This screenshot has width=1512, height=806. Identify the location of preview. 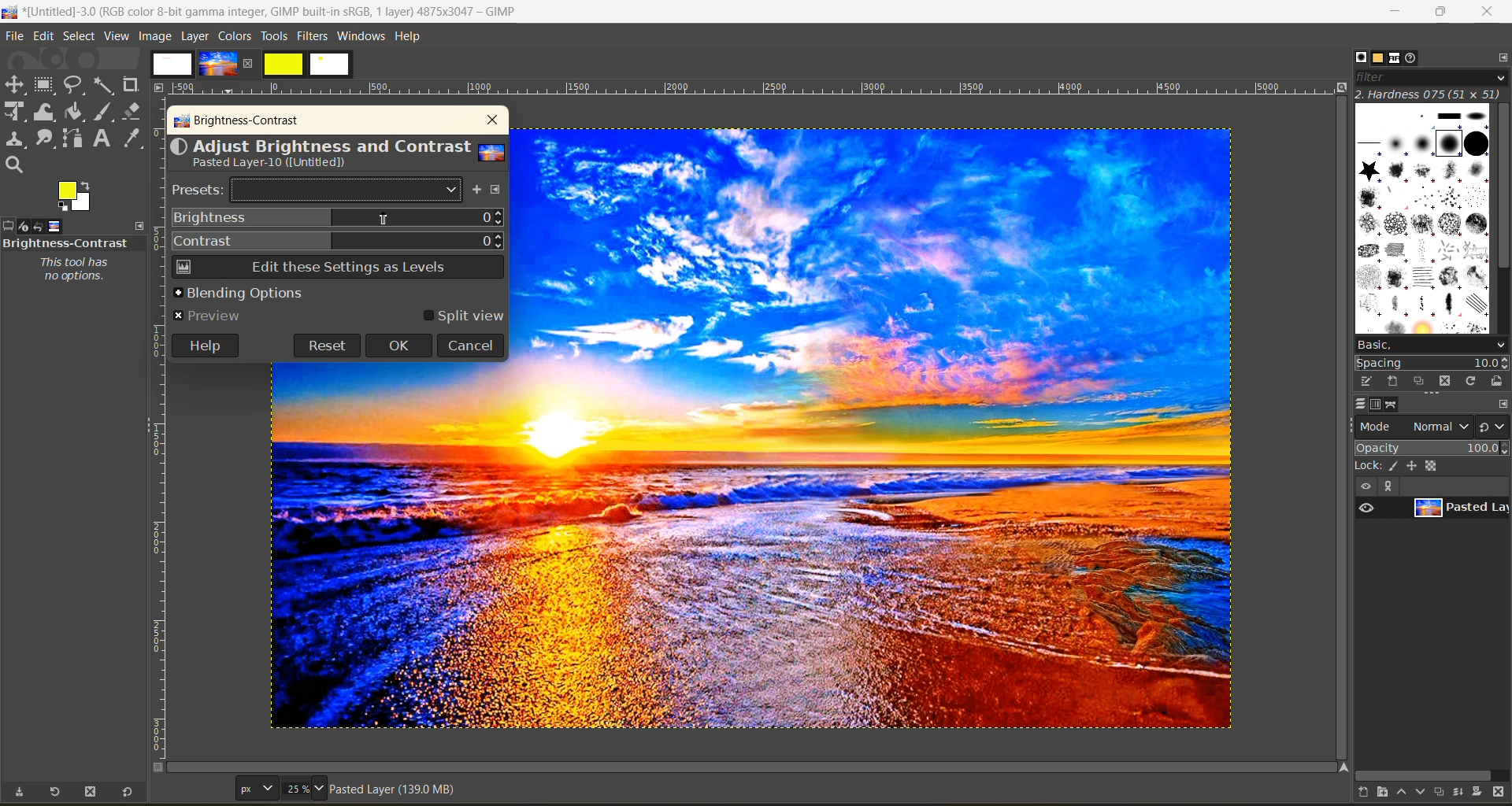
(212, 315).